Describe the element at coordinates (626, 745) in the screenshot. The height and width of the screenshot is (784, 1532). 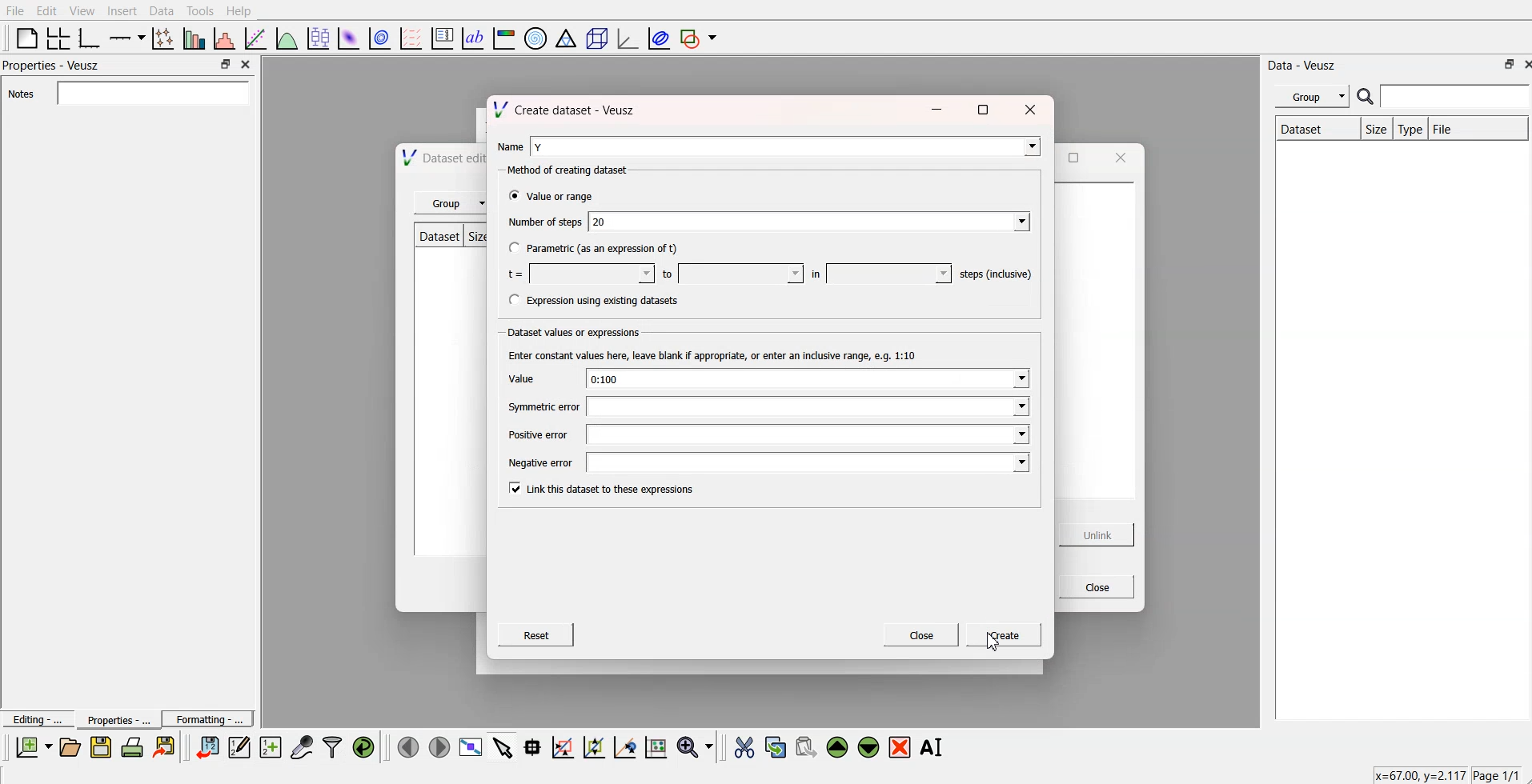
I see `click to recentre graph axes` at that location.